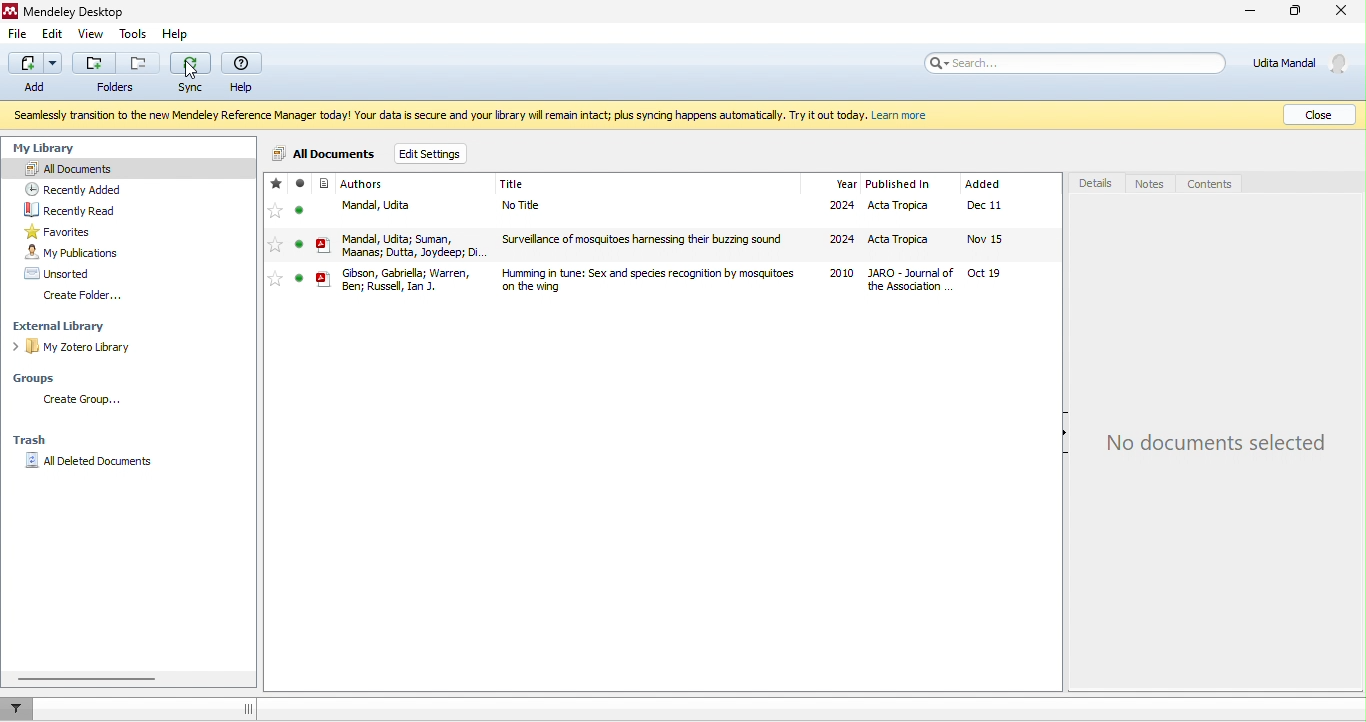 Image resolution: width=1366 pixels, height=722 pixels. Describe the element at coordinates (371, 184) in the screenshot. I see `journal author name` at that location.